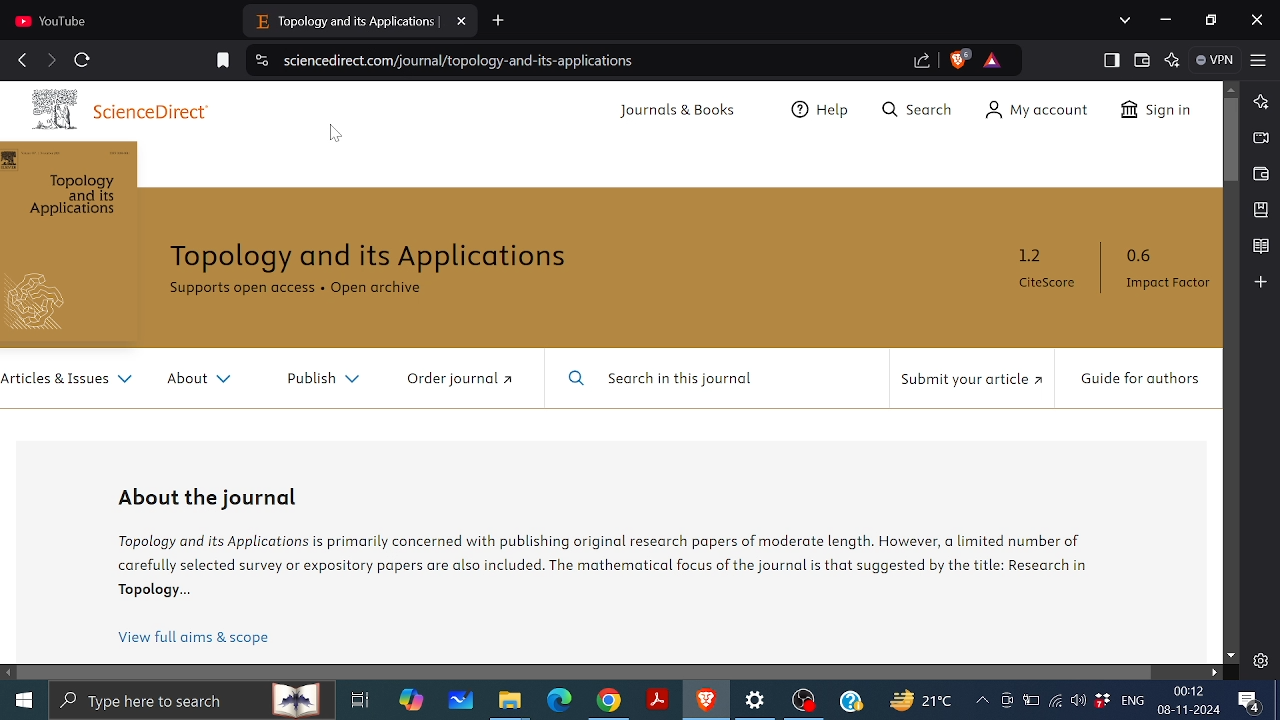 Image resolution: width=1280 pixels, height=720 pixels. What do you see at coordinates (263, 62) in the screenshot?
I see `View cite information` at bounding box center [263, 62].